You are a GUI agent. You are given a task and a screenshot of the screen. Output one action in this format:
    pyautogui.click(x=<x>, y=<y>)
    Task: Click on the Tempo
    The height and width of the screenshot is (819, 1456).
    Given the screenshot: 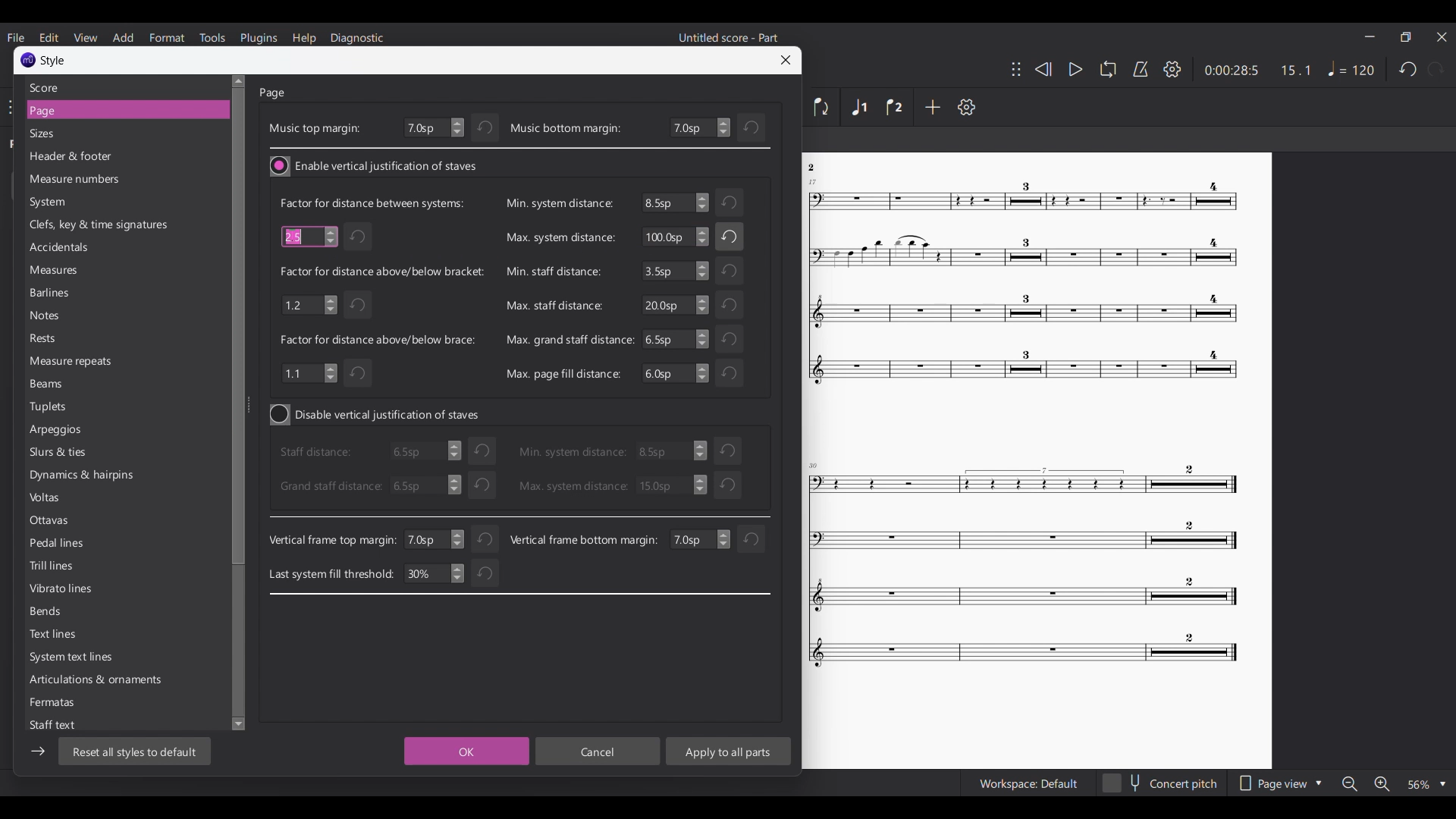 What is the action you would take?
    pyautogui.click(x=1351, y=68)
    